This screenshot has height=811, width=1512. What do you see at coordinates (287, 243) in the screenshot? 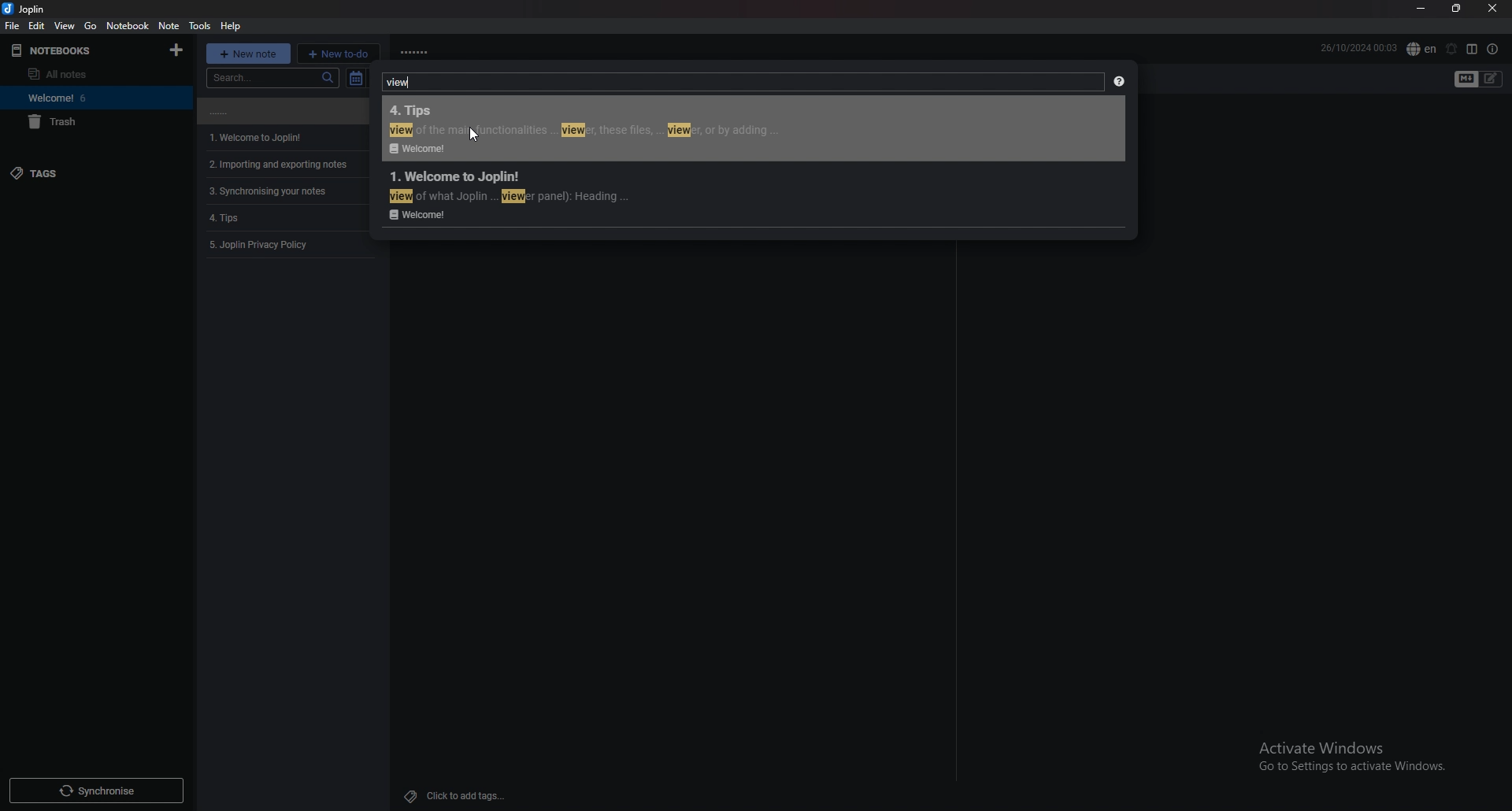
I see `note 6` at bounding box center [287, 243].